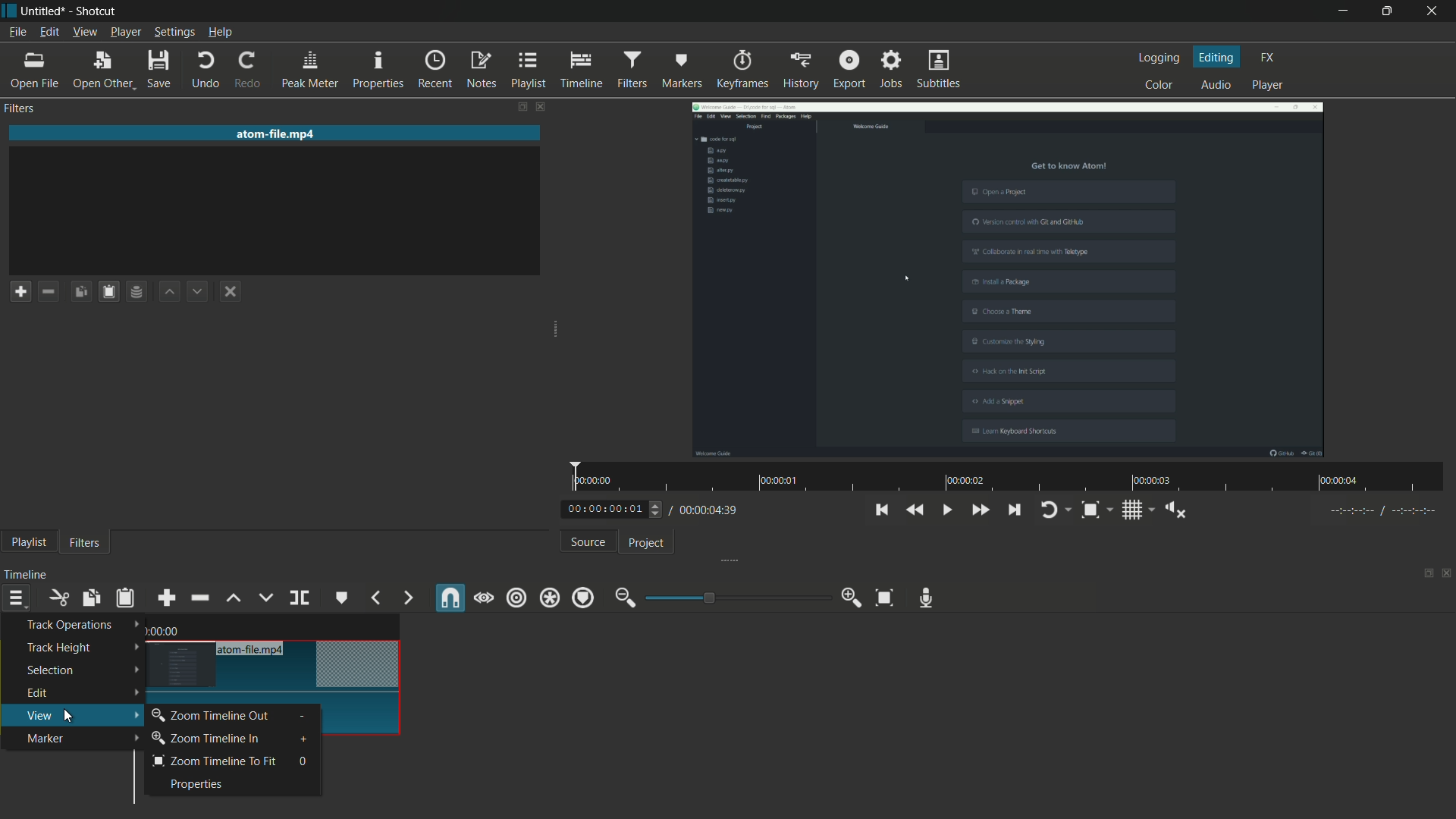  What do you see at coordinates (50, 32) in the screenshot?
I see `edit menu` at bounding box center [50, 32].